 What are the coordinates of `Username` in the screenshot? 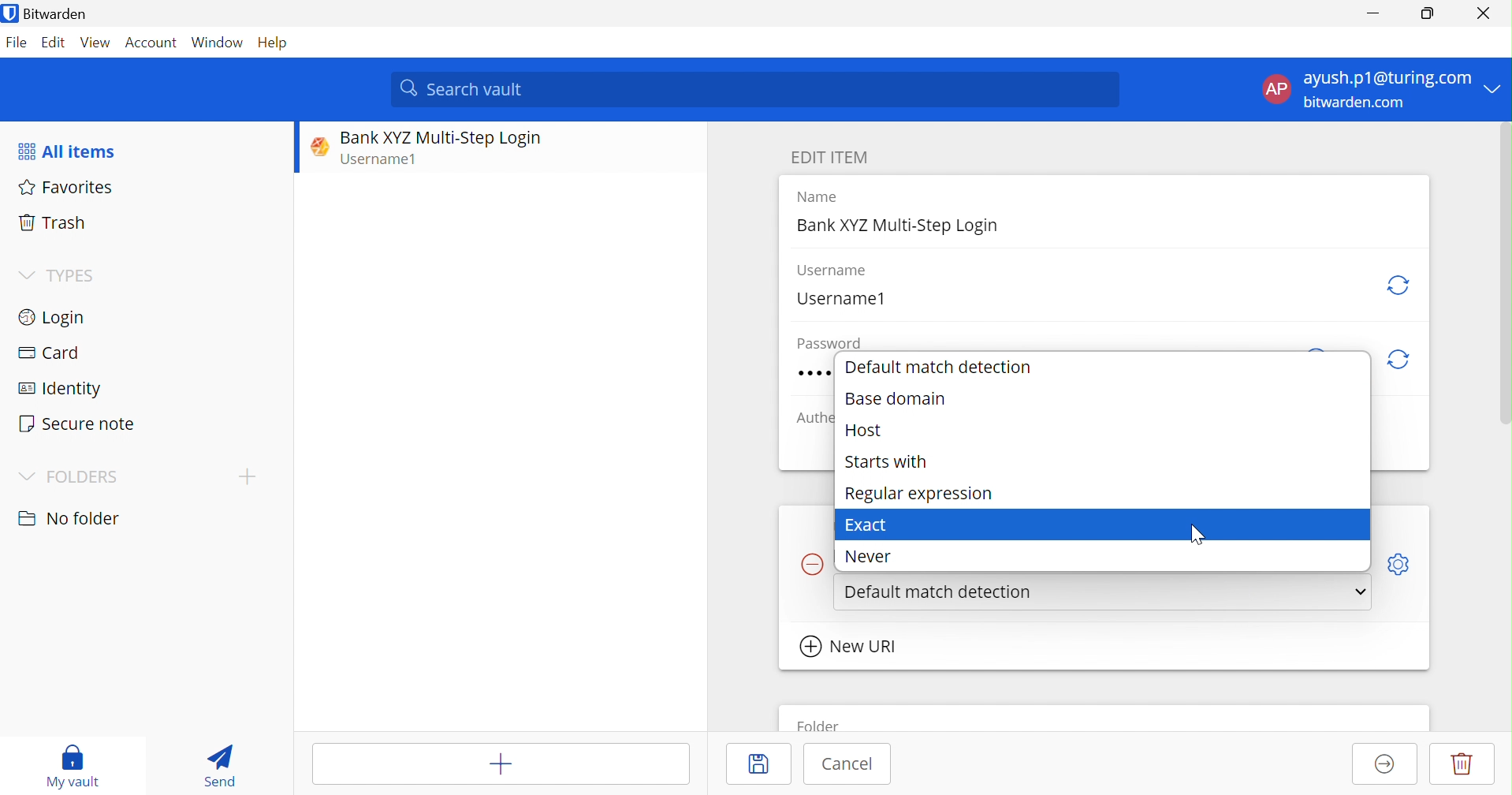 It's located at (831, 271).